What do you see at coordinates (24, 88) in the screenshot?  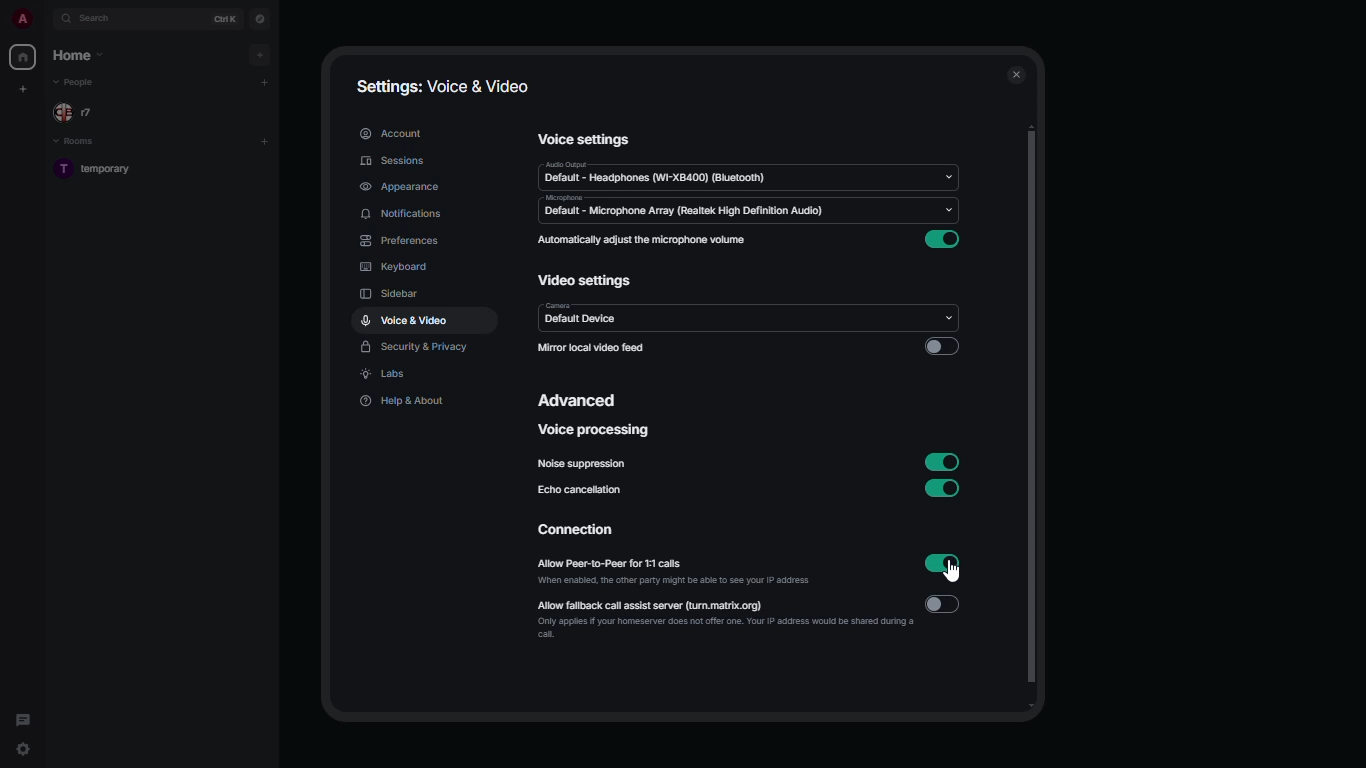 I see `create new space` at bounding box center [24, 88].